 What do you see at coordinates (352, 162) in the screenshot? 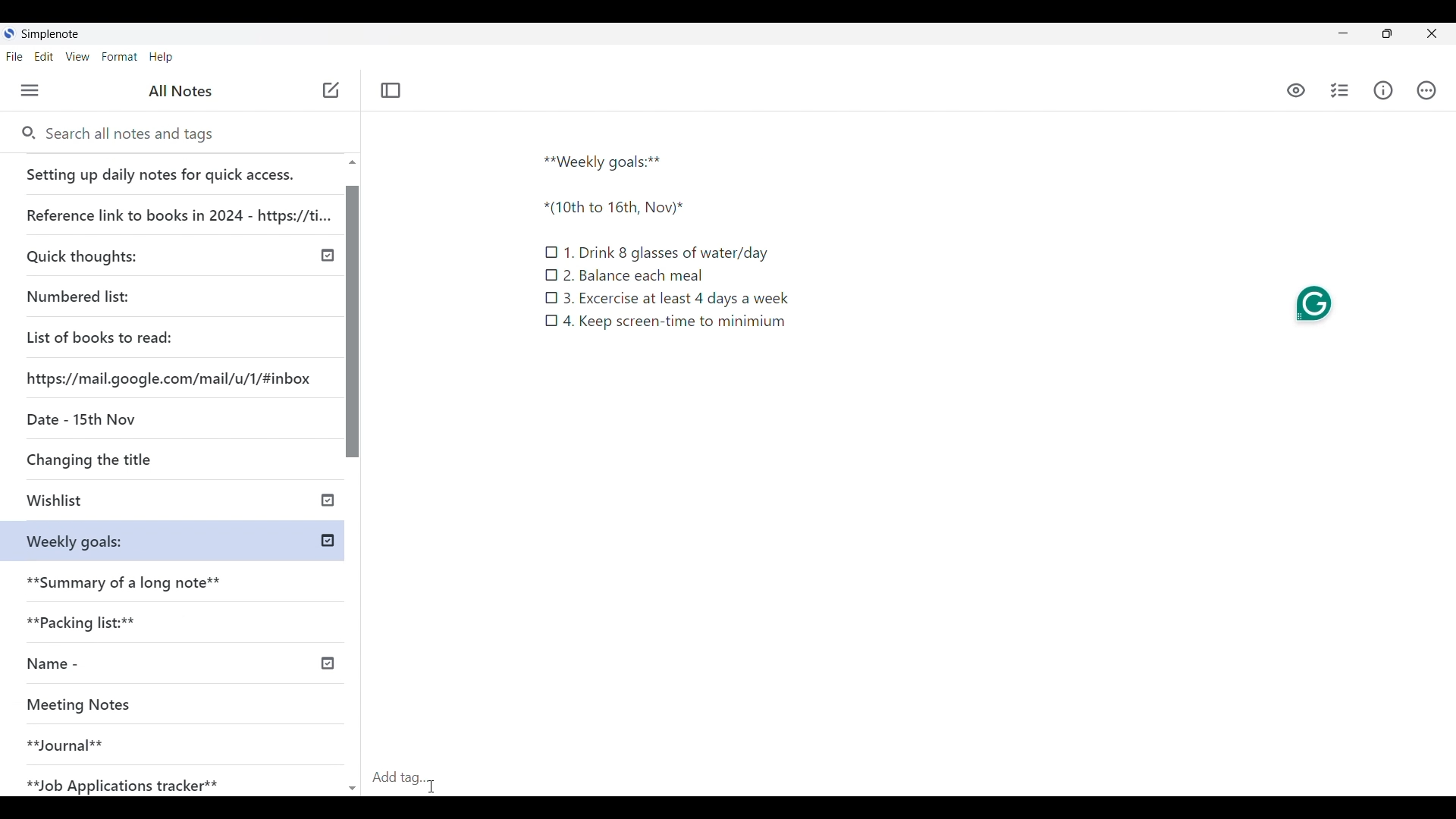
I see `Quick slide to top` at bounding box center [352, 162].